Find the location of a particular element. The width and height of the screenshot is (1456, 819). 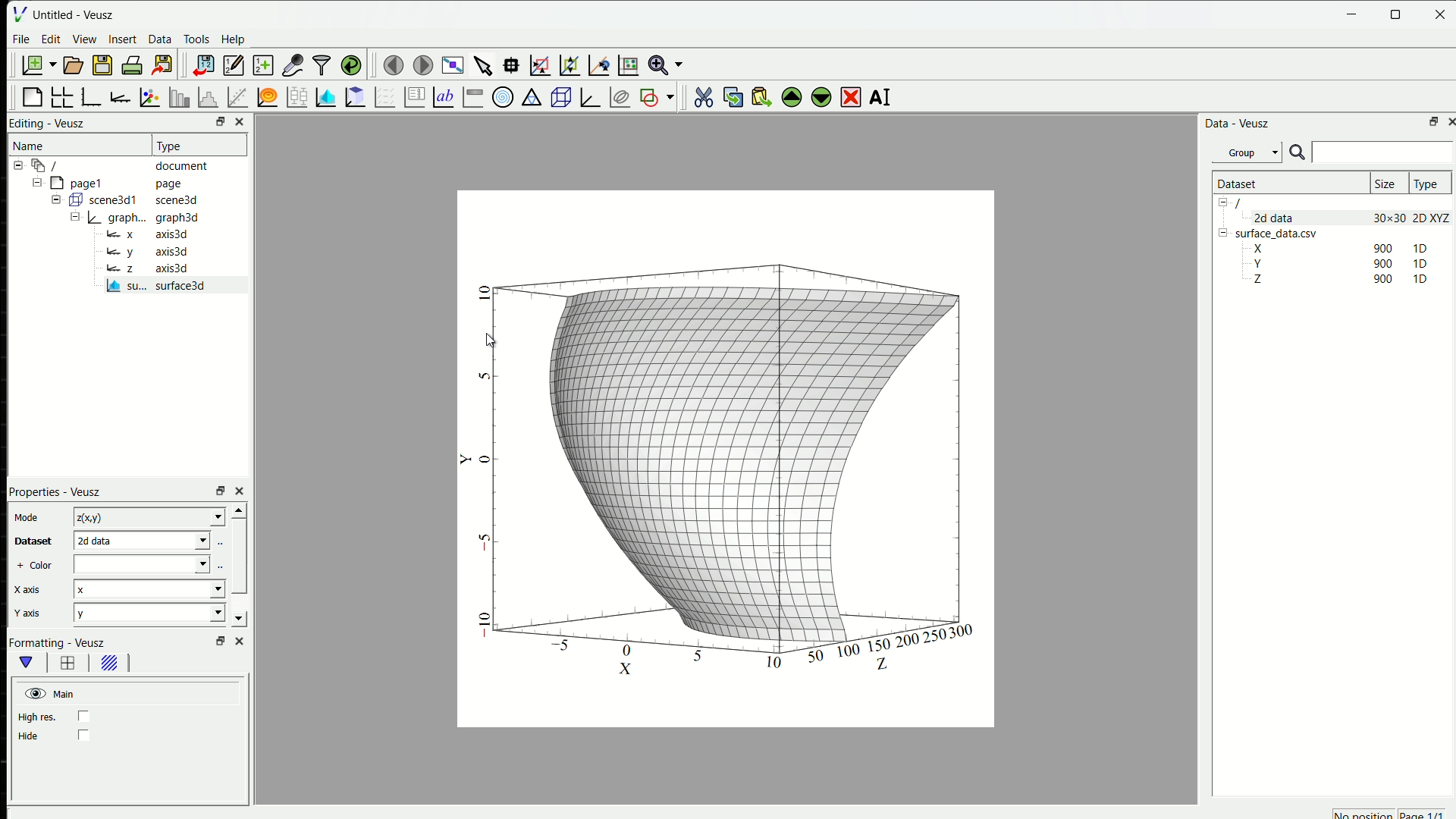

click to recenter graph axis is located at coordinates (600, 65).